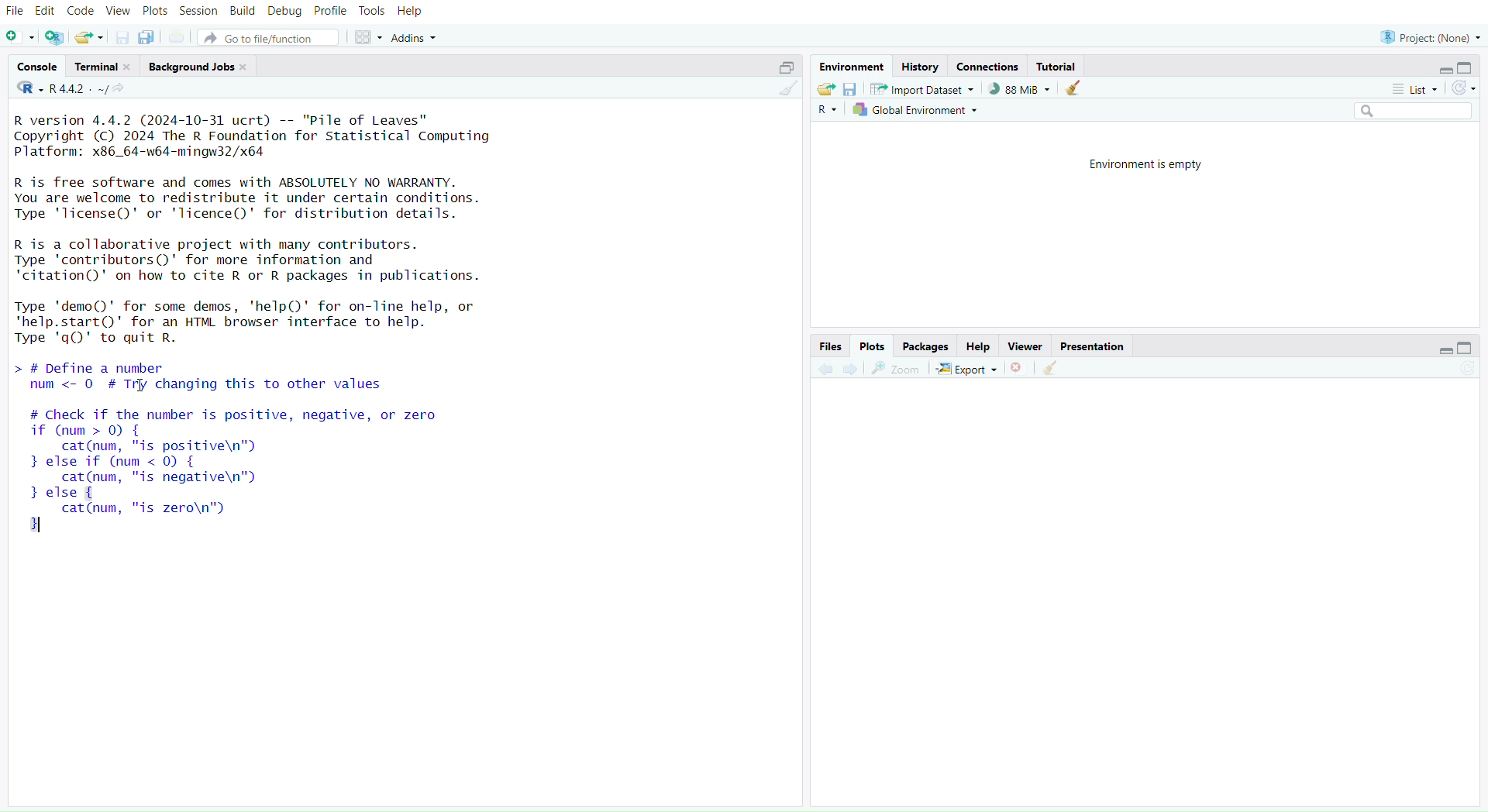 This screenshot has height=812, width=1488. Describe the element at coordinates (917, 112) in the screenshot. I see `global environment` at that location.